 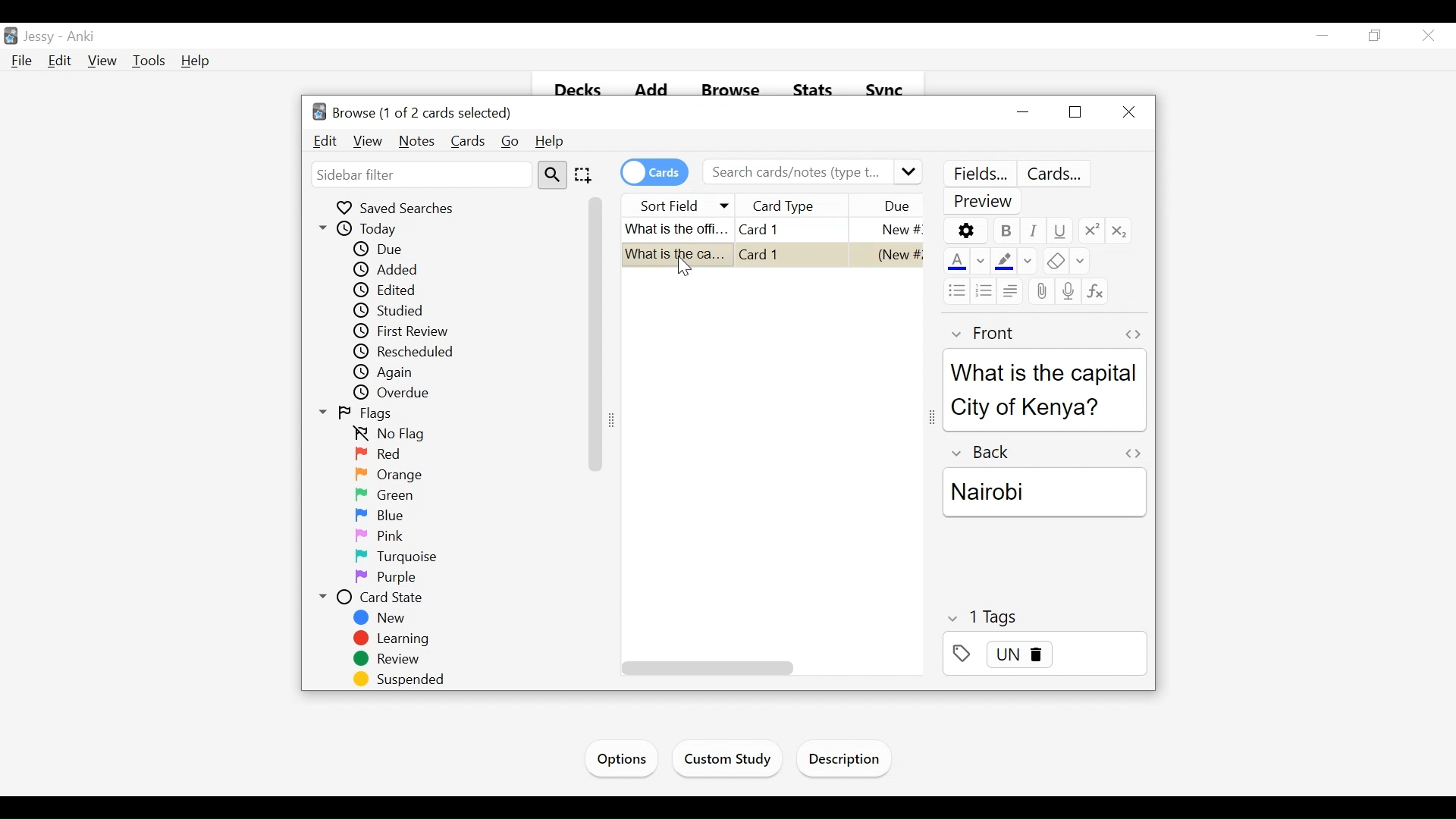 I want to click on Text Coloe, so click(x=955, y=262).